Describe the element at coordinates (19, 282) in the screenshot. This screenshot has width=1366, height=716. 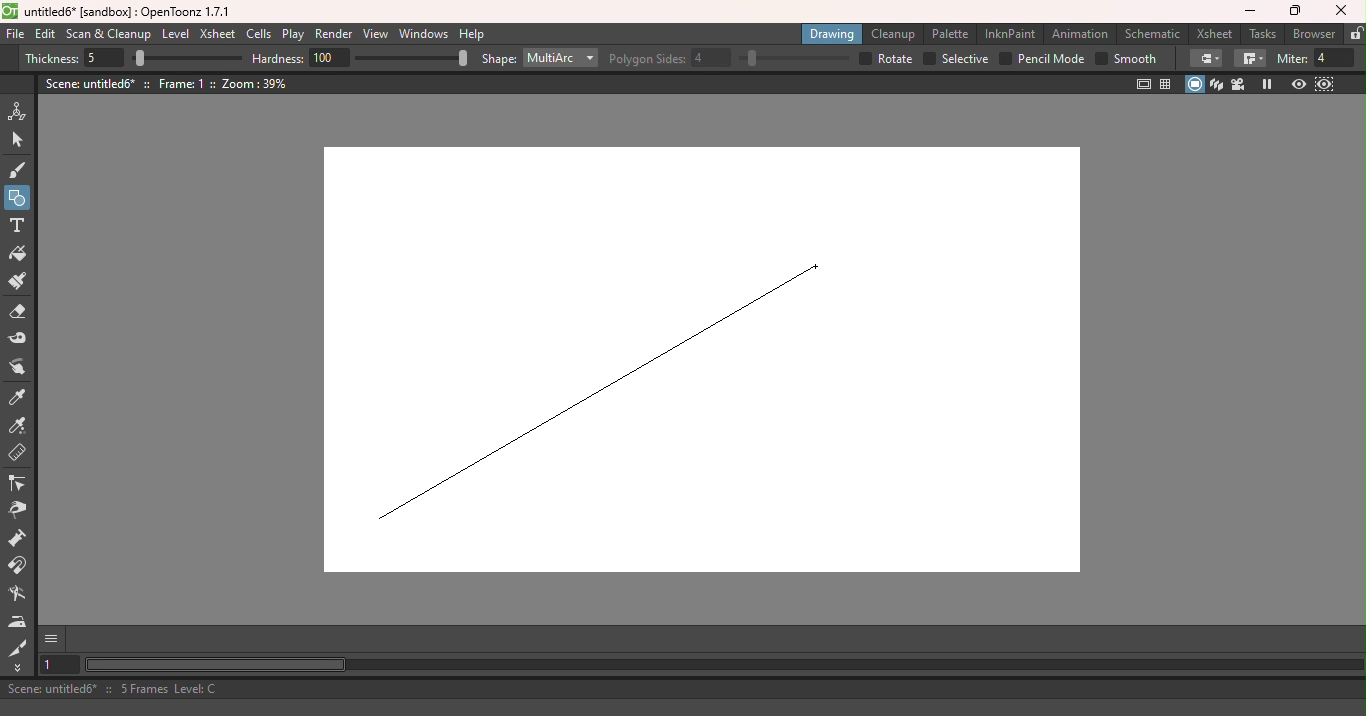
I see `Paint brush` at that location.